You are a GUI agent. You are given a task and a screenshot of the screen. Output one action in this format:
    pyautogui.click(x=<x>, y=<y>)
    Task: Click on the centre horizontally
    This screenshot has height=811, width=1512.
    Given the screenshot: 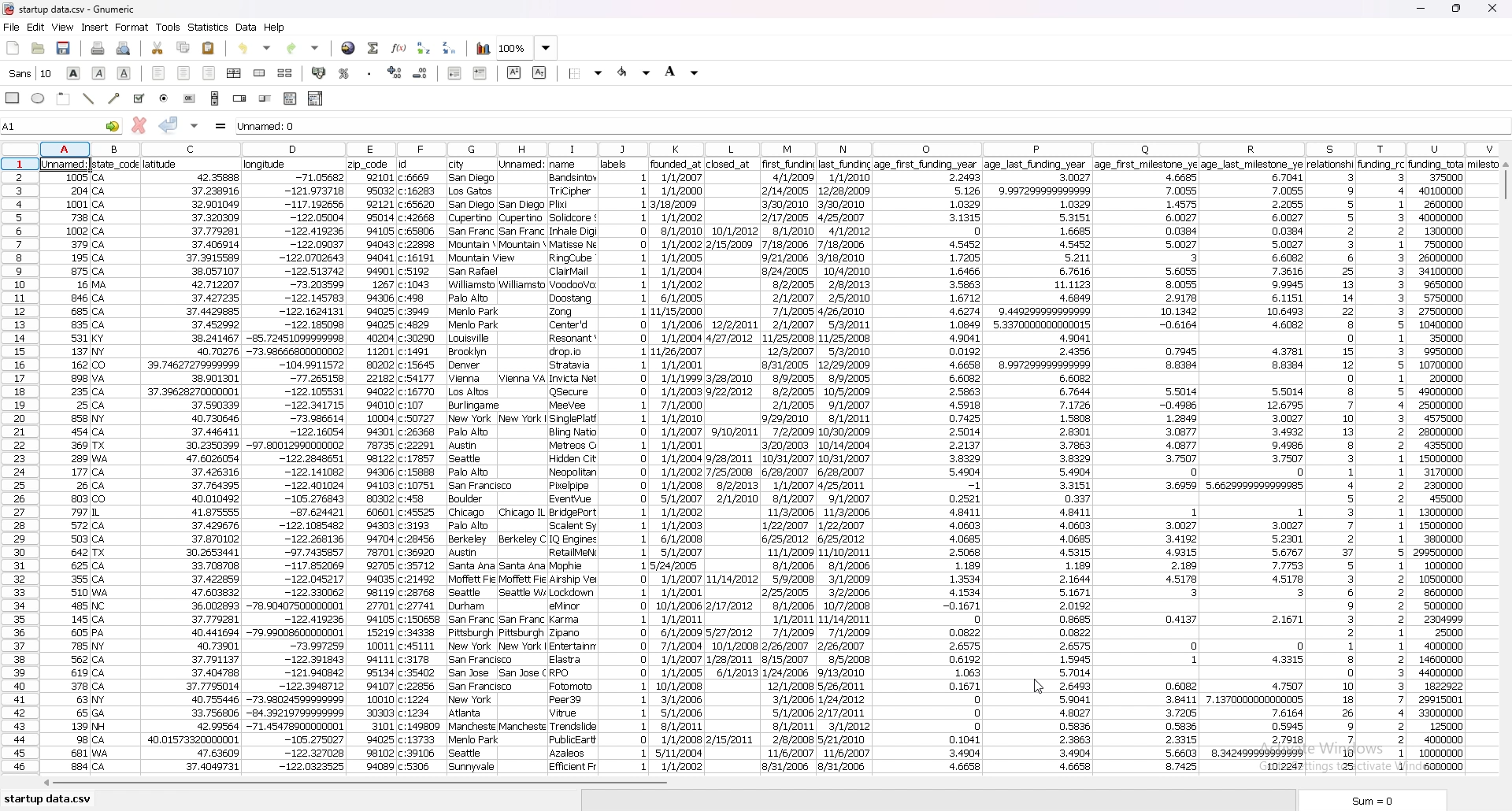 What is the action you would take?
    pyautogui.click(x=234, y=73)
    